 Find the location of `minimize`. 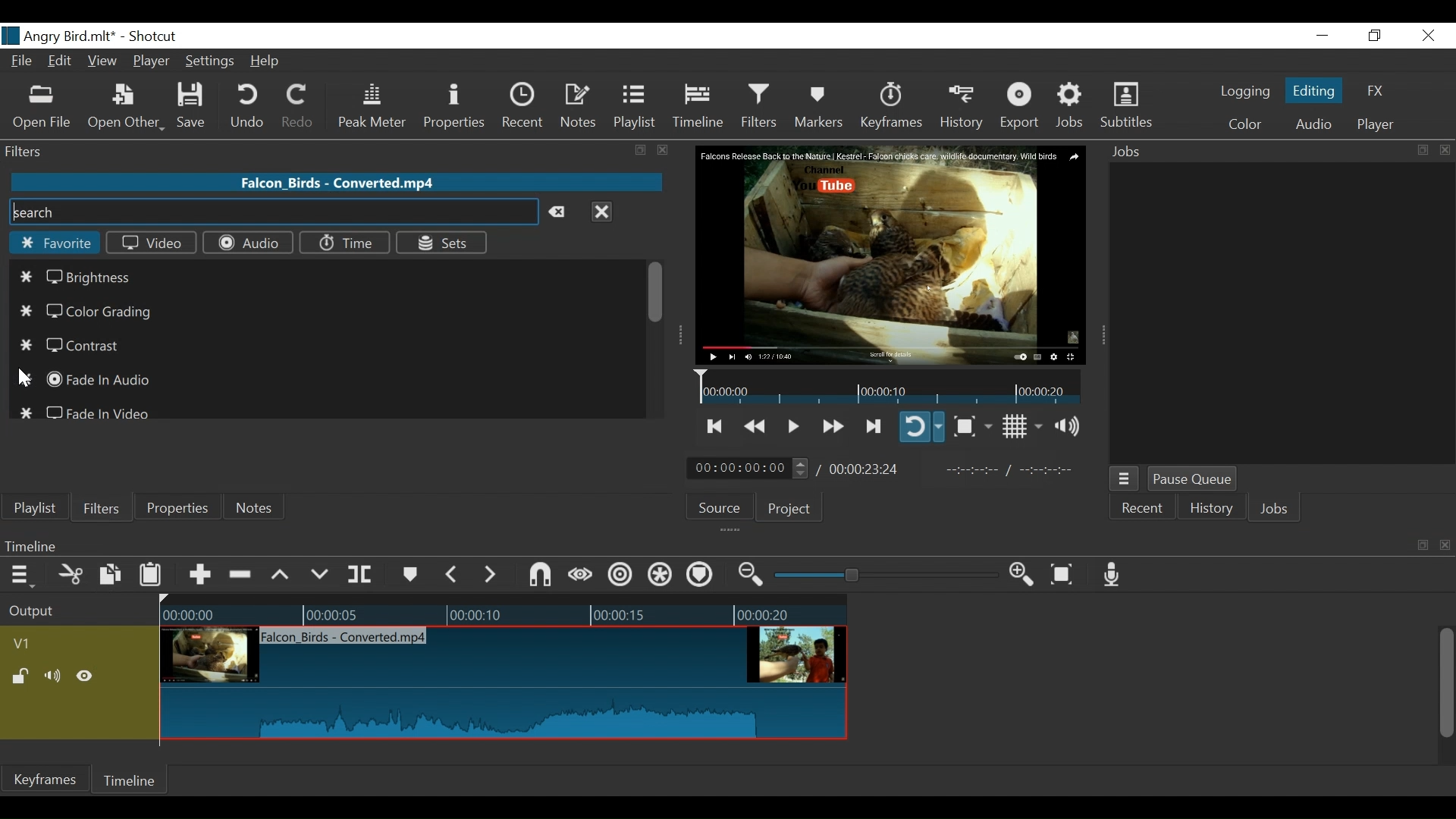

minimize is located at coordinates (1322, 36).